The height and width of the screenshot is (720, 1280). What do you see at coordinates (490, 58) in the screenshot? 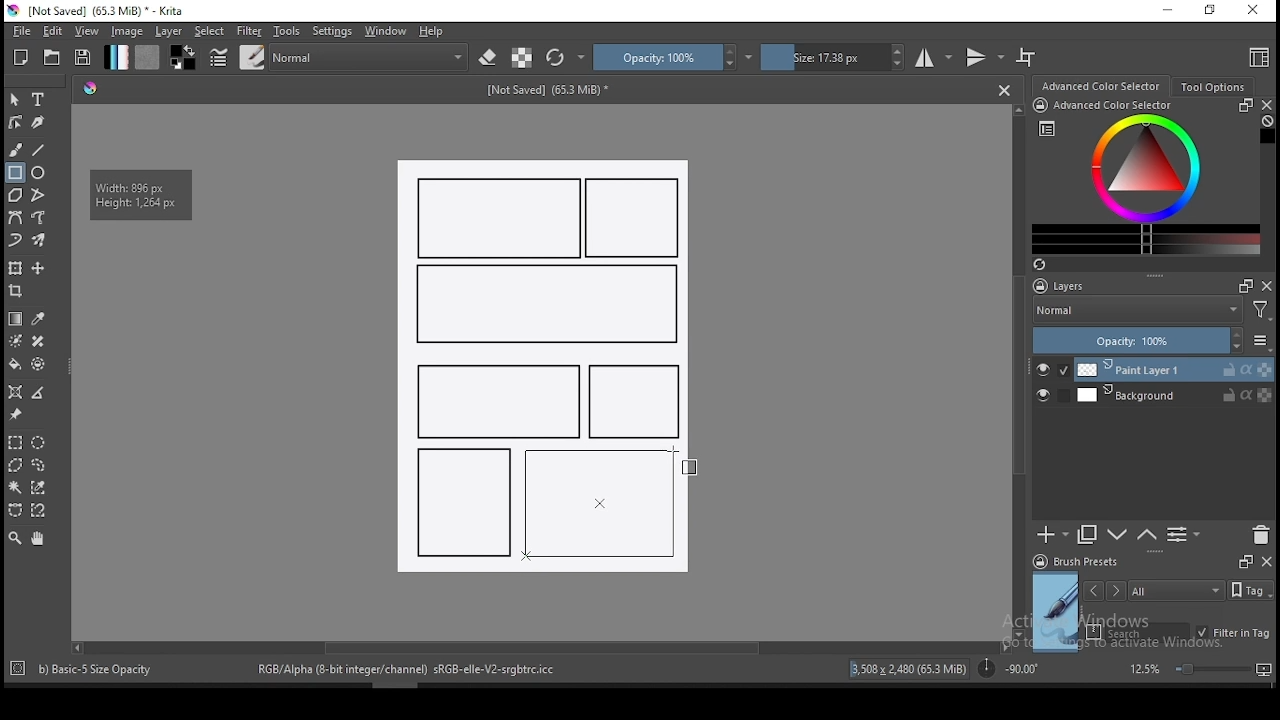
I see `set eraser mode` at bounding box center [490, 58].